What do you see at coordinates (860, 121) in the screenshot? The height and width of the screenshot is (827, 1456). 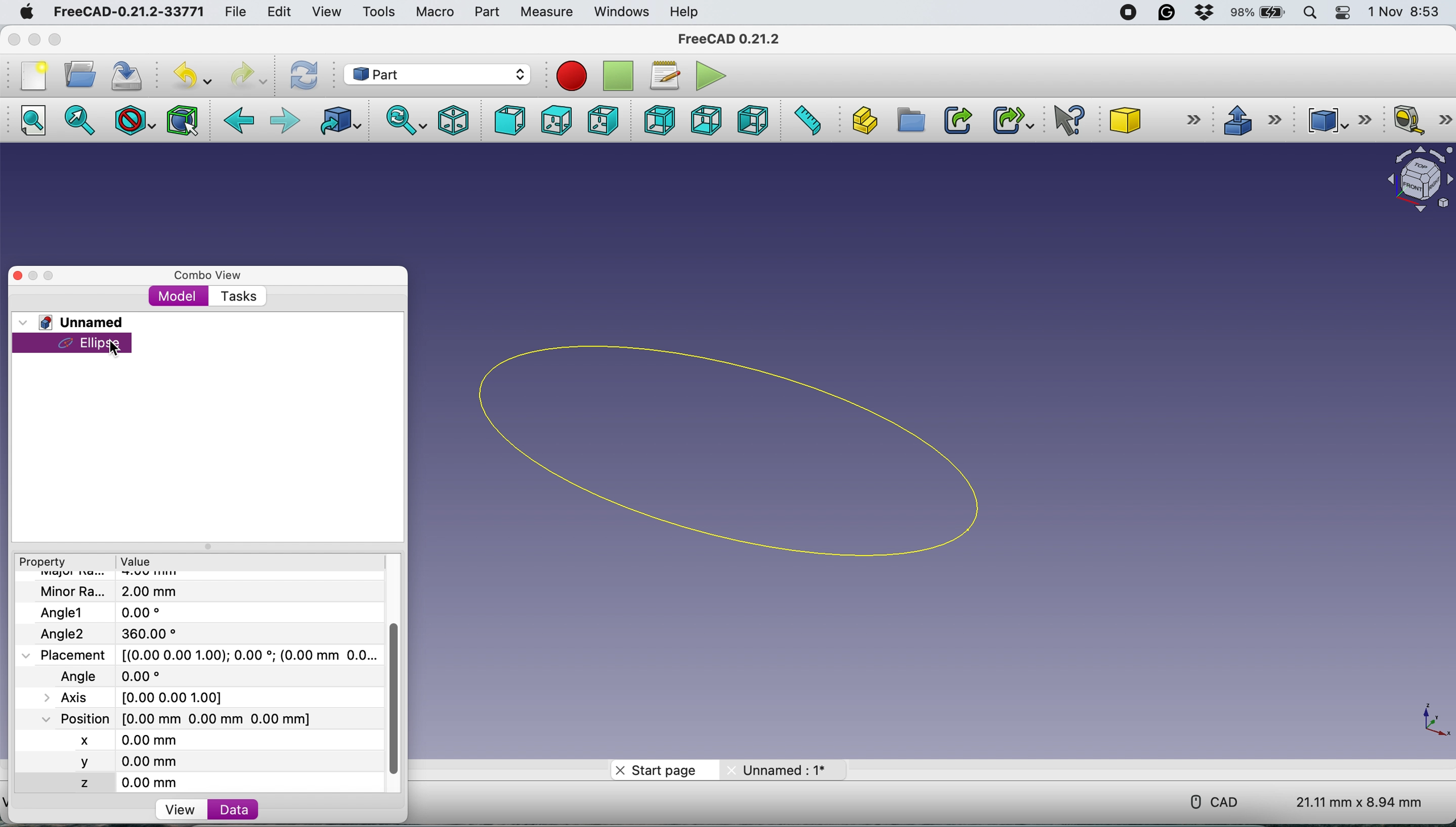 I see `create part` at bounding box center [860, 121].